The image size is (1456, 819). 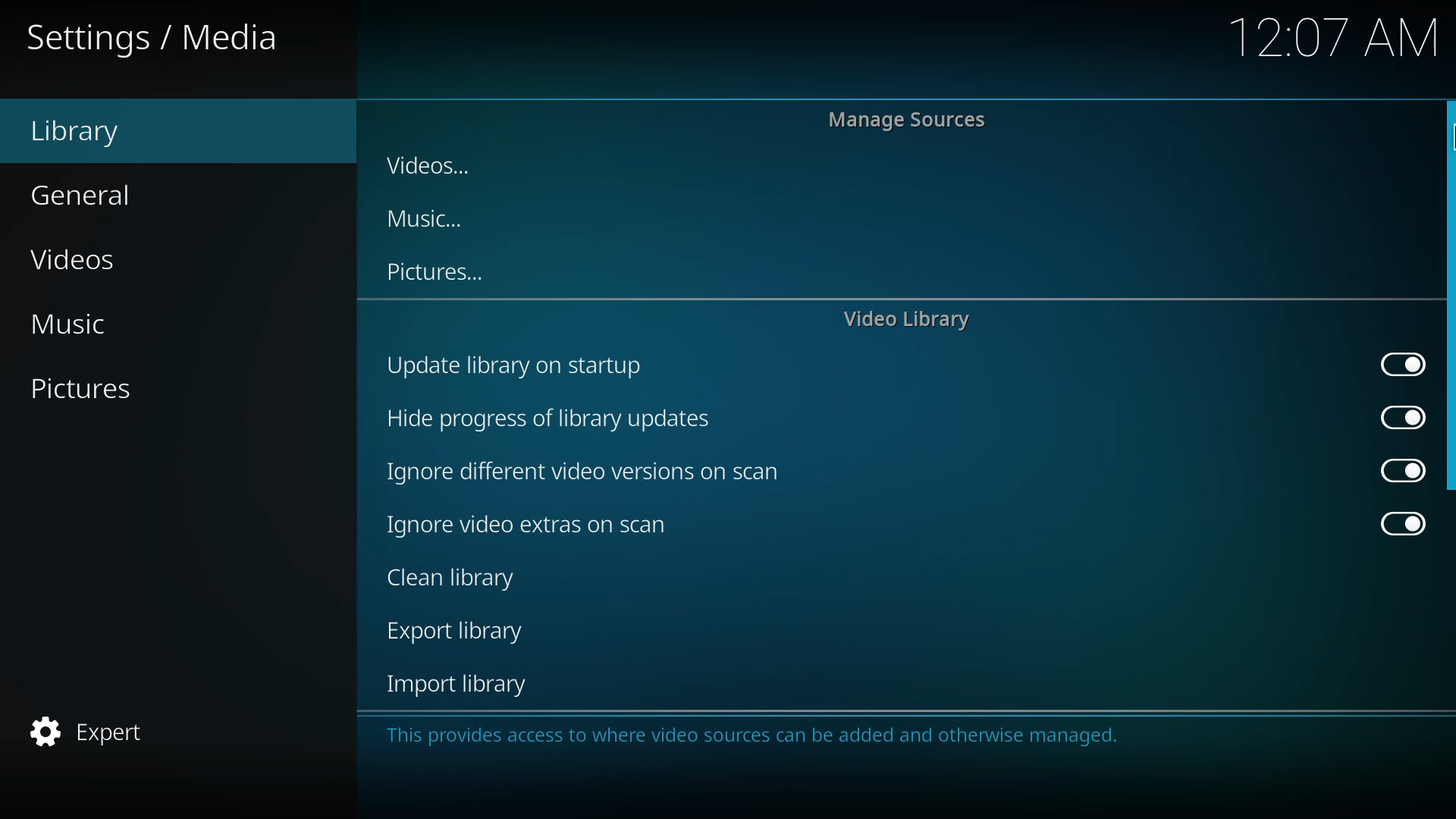 I want to click on disabled, so click(x=1391, y=361).